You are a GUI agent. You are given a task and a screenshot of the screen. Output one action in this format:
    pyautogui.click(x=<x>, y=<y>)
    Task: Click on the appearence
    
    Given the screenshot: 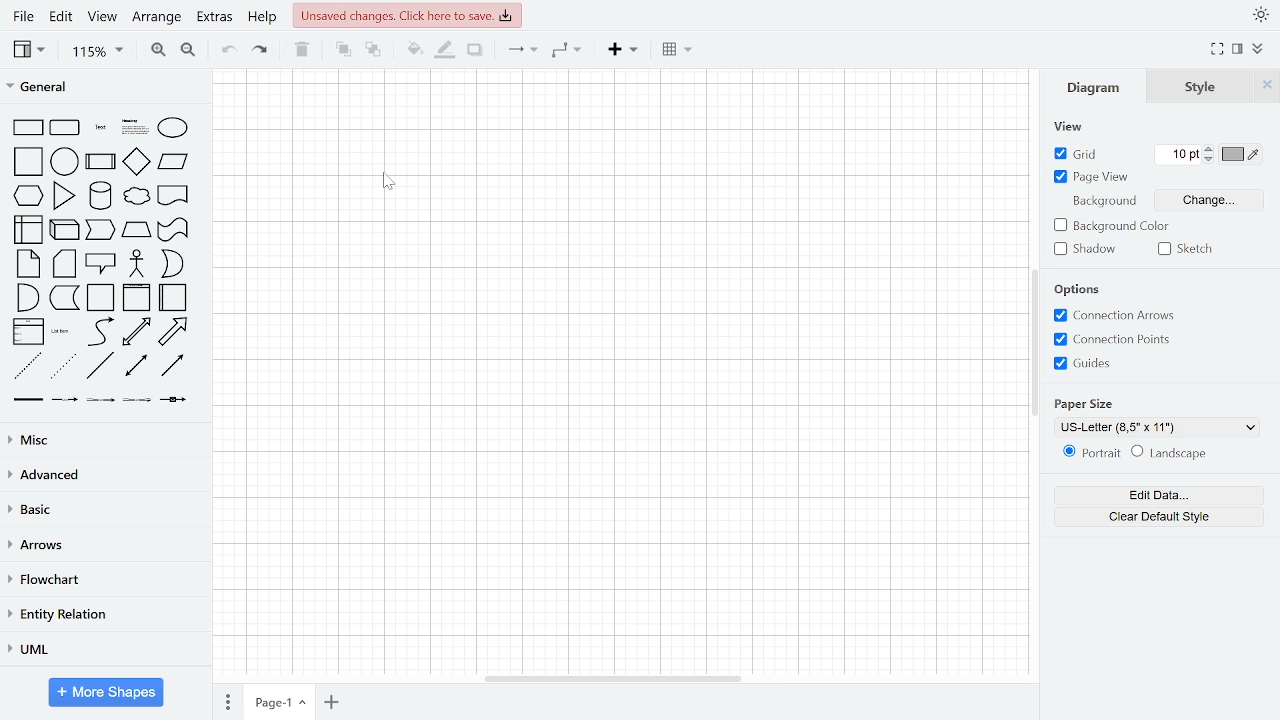 What is the action you would take?
    pyautogui.click(x=1260, y=14)
    